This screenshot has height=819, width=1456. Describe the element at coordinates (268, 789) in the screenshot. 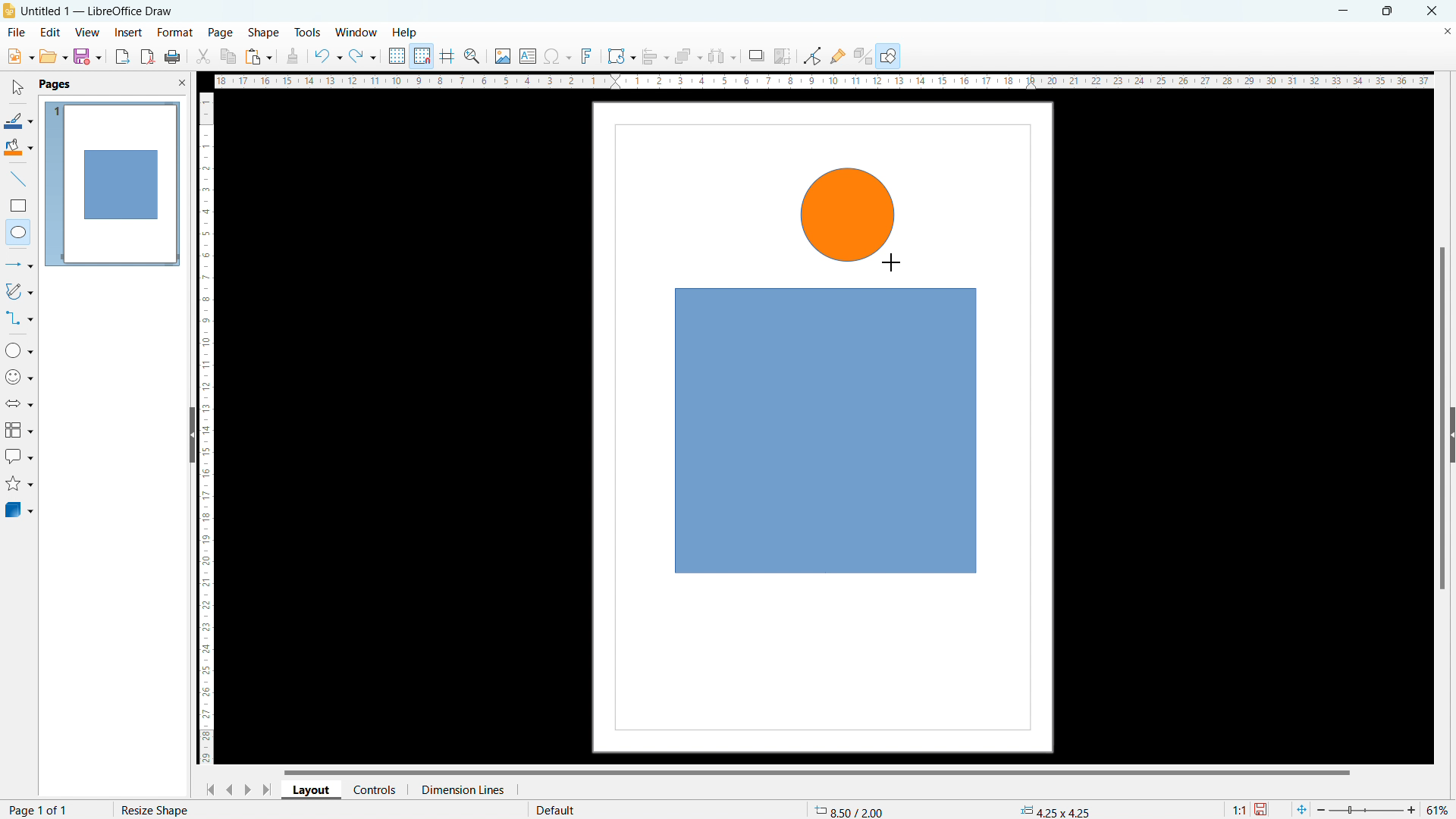

I see `go to last page` at that location.